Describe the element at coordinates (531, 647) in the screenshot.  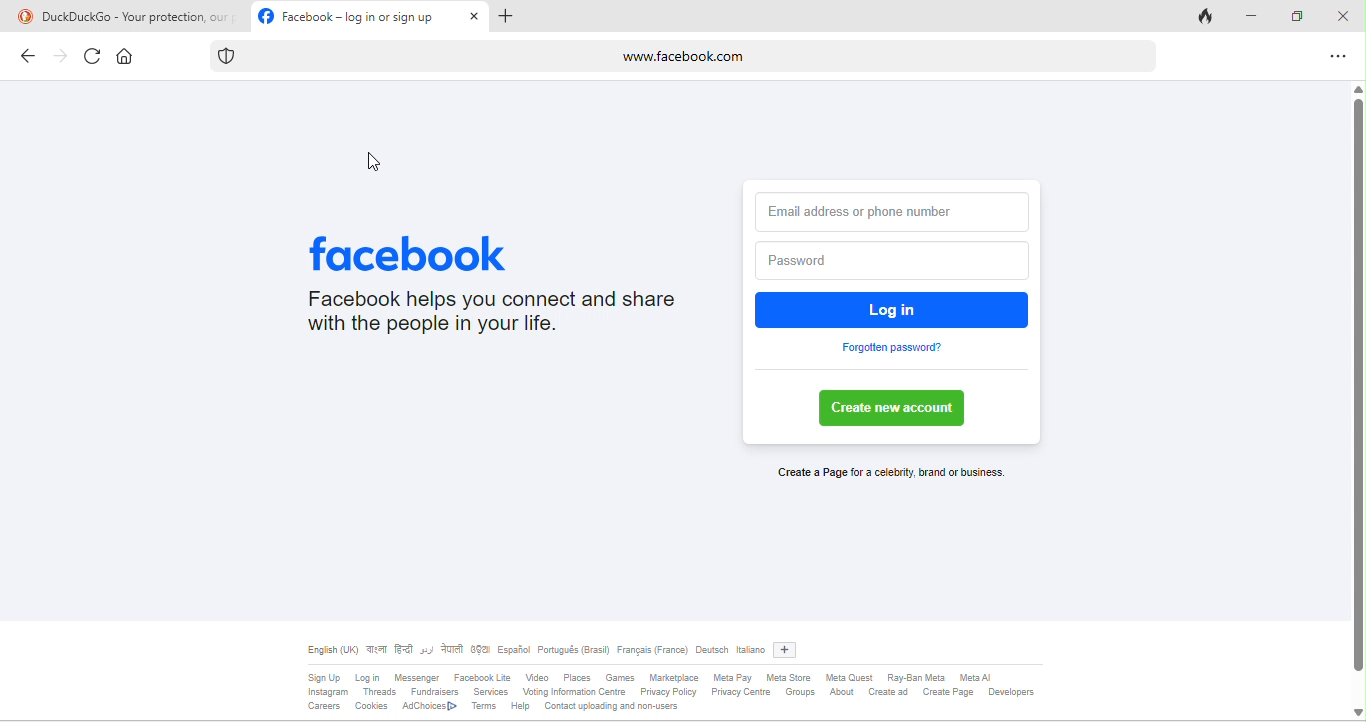
I see `different type of language` at that location.